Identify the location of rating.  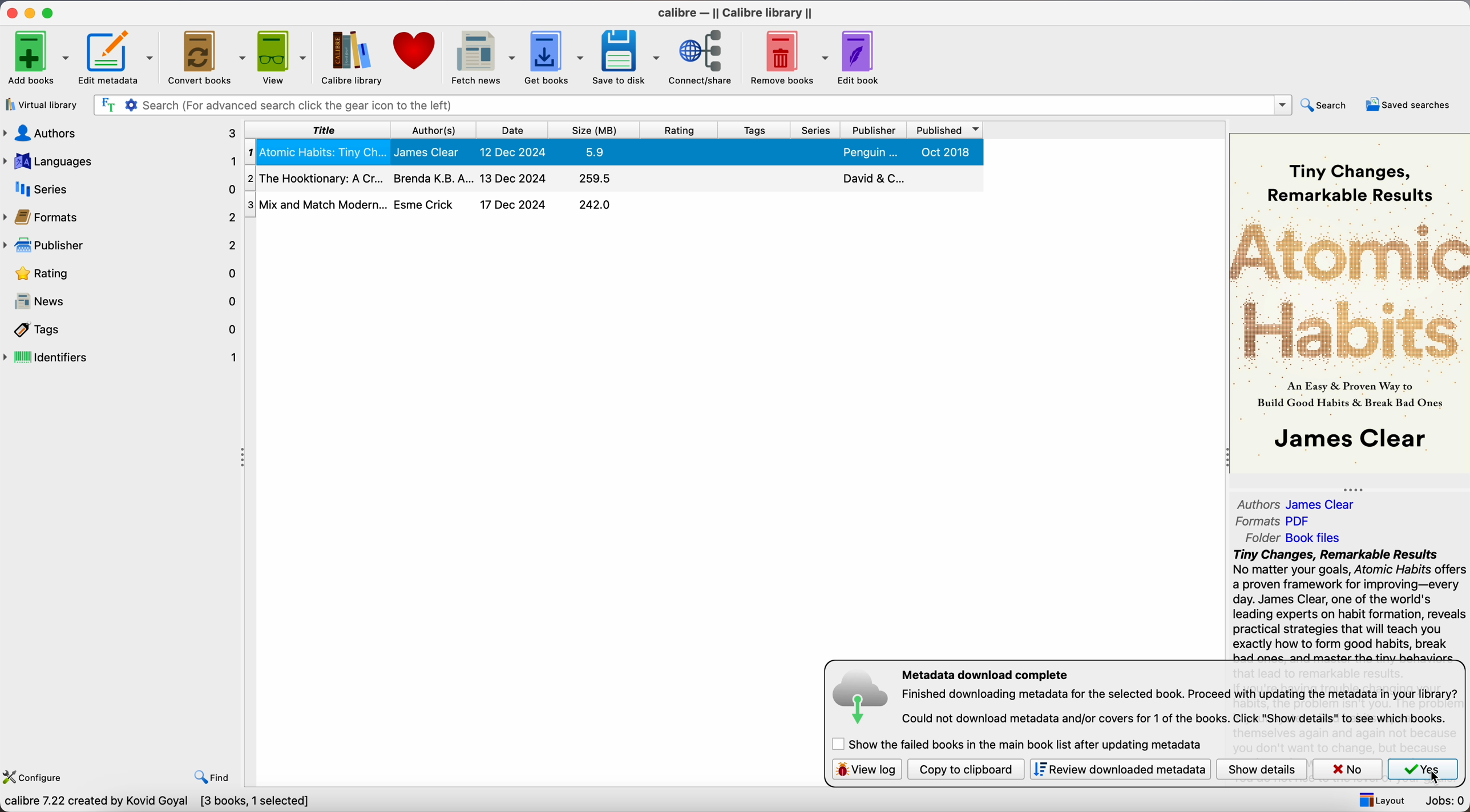
(125, 274).